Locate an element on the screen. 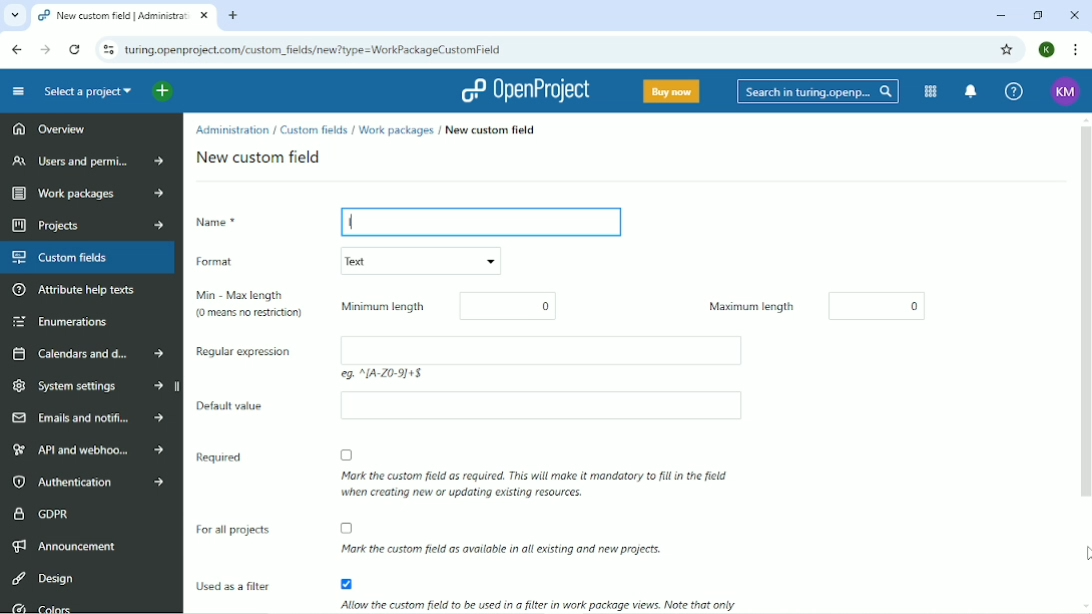 This screenshot has height=614, width=1092. turing.openproject.com/projects/dd/settings/custom_fields is located at coordinates (317, 51).